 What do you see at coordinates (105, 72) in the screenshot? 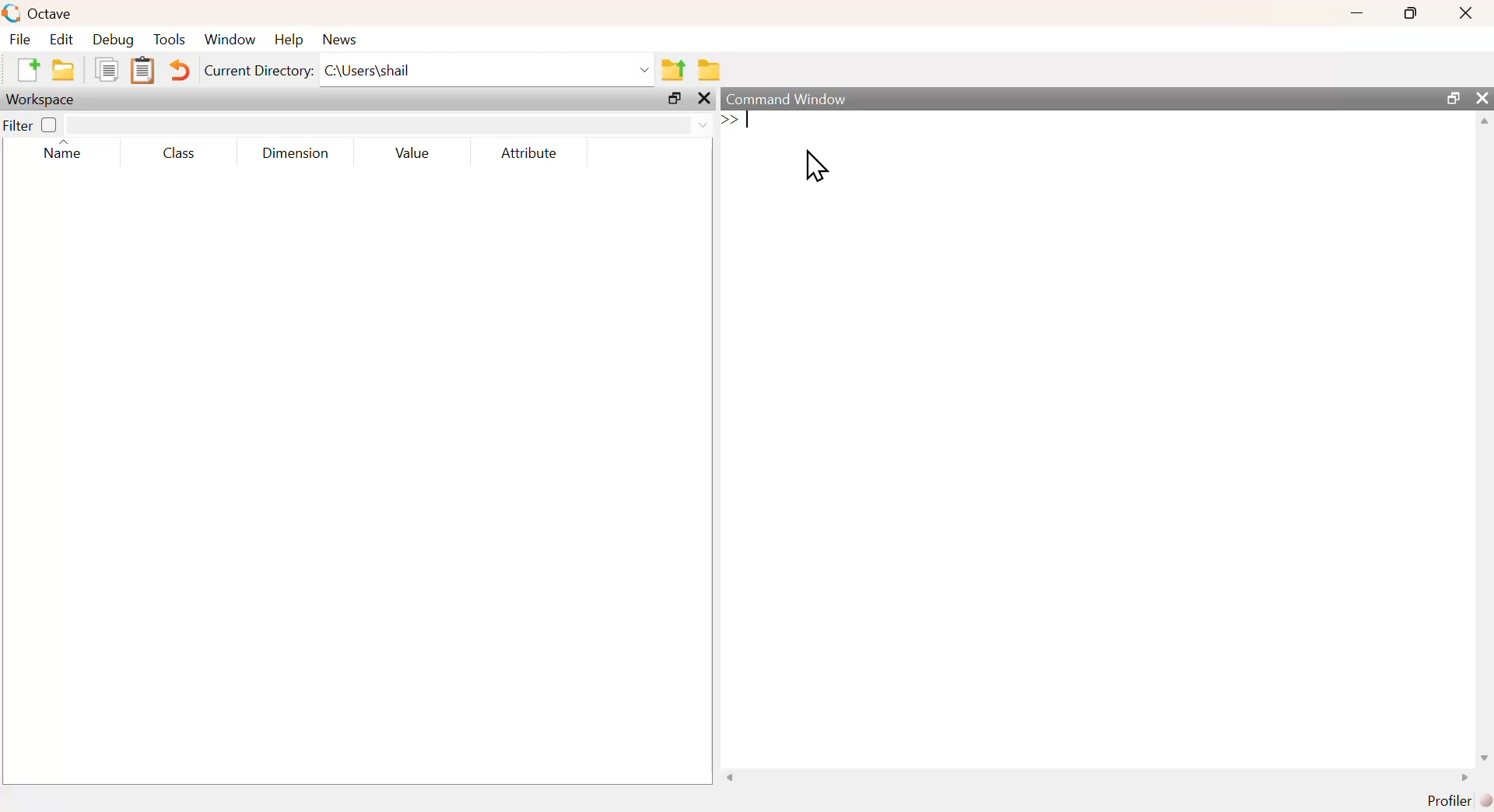
I see `copy` at bounding box center [105, 72].